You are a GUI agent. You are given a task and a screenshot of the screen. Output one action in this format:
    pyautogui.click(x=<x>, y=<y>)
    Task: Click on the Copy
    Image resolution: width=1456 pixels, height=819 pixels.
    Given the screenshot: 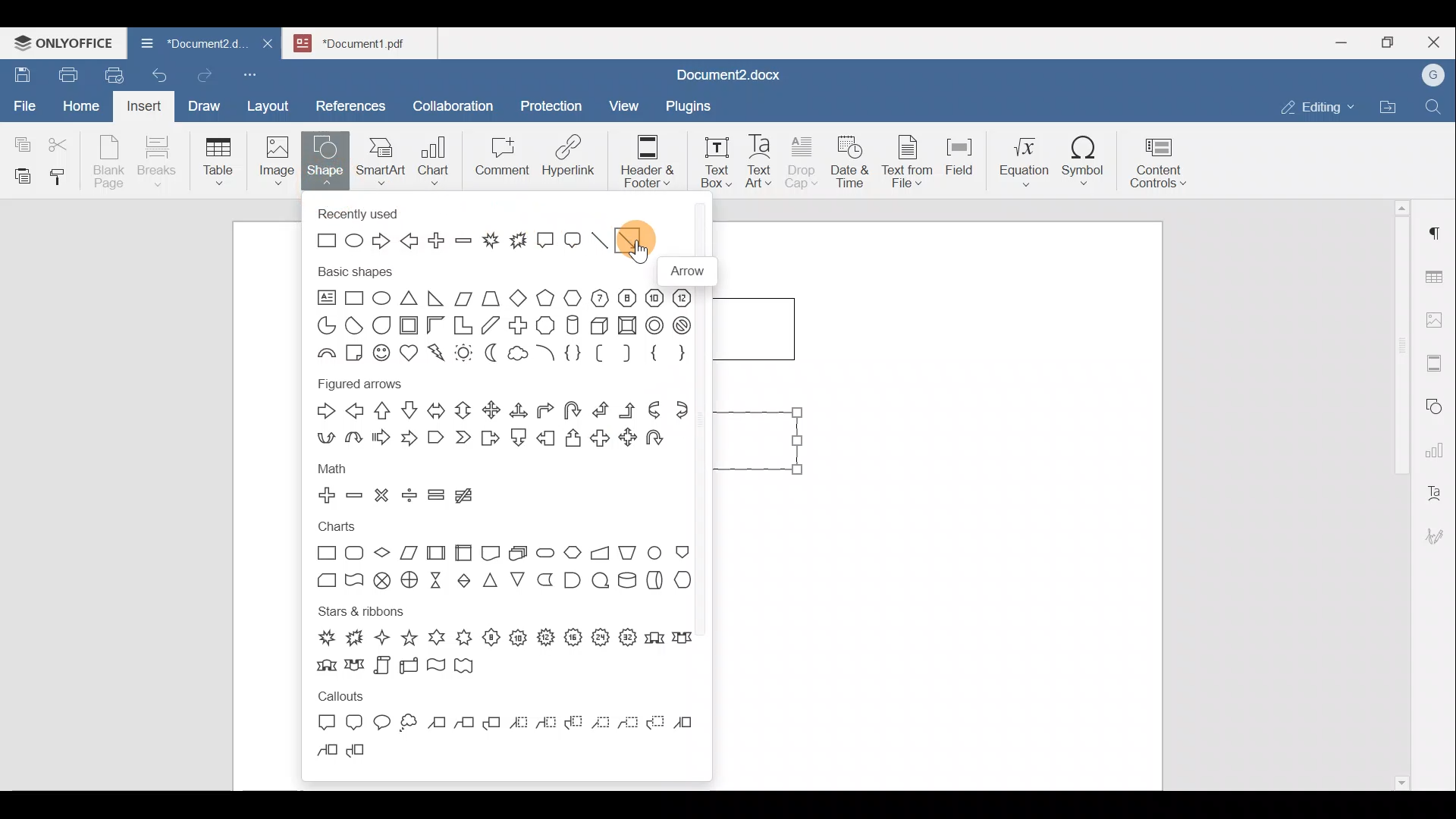 What is the action you would take?
    pyautogui.click(x=20, y=140)
    